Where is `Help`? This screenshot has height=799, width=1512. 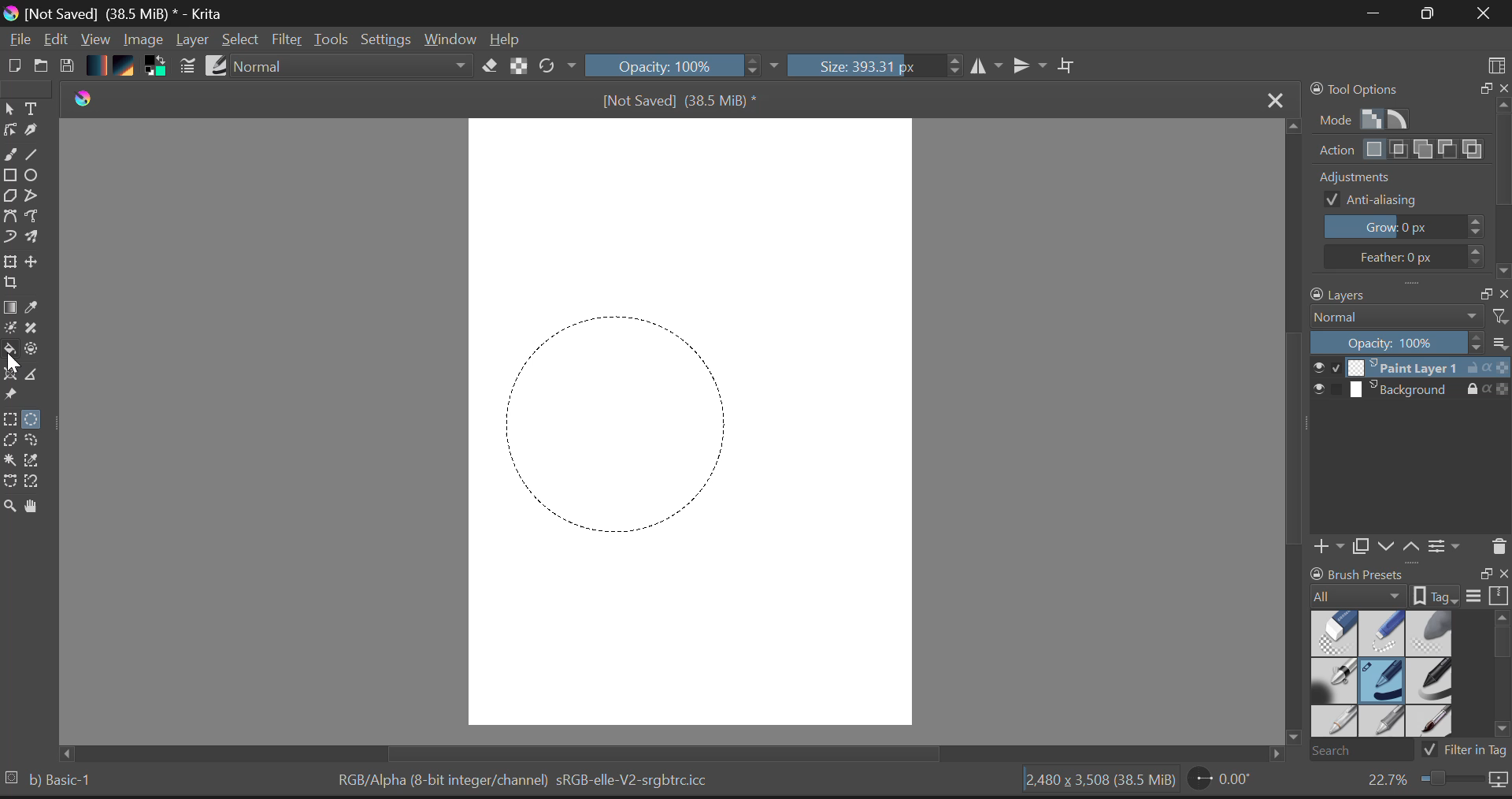
Help is located at coordinates (506, 39).